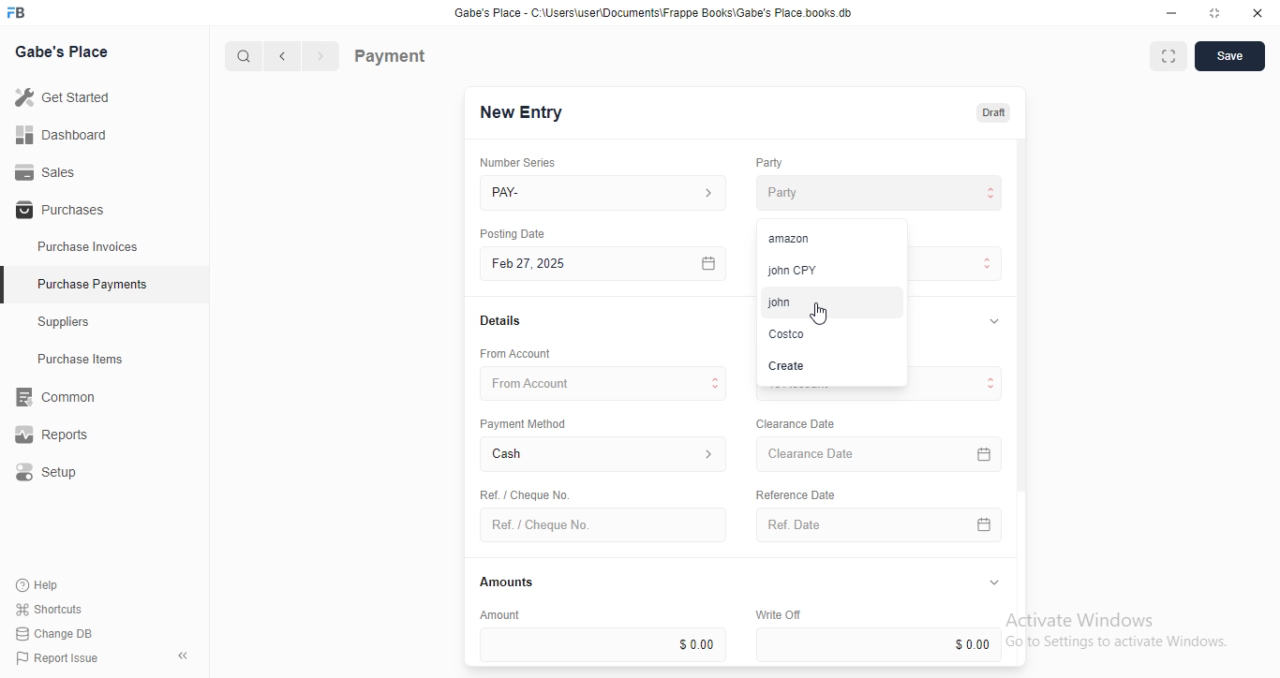 This screenshot has width=1280, height=678. Describe the element at coordinates (1213, 13) in the screenshot. I see `resize` at that location.